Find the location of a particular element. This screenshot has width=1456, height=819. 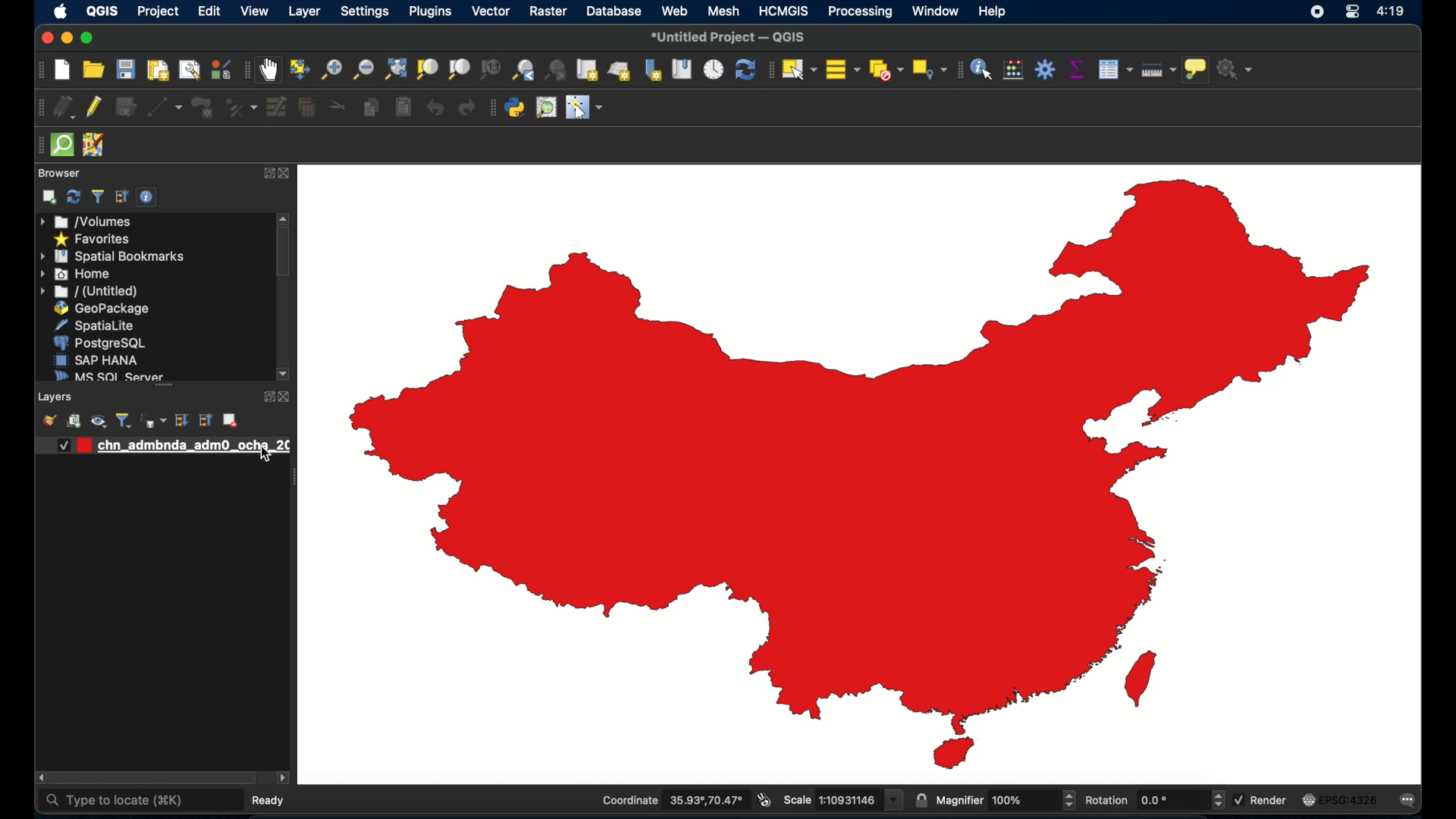

expand is located at coordinates (181, 420).